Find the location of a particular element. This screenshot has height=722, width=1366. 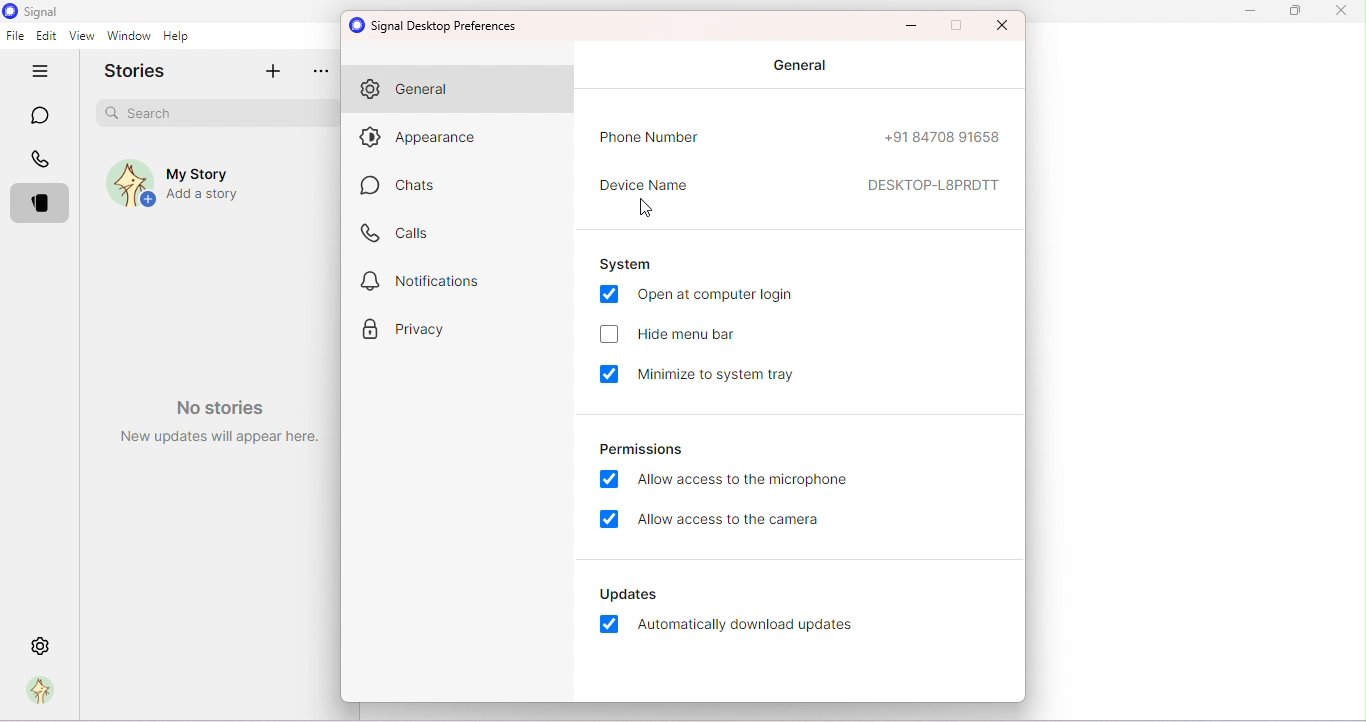

Minimize is located at coordinates (1249, 13).